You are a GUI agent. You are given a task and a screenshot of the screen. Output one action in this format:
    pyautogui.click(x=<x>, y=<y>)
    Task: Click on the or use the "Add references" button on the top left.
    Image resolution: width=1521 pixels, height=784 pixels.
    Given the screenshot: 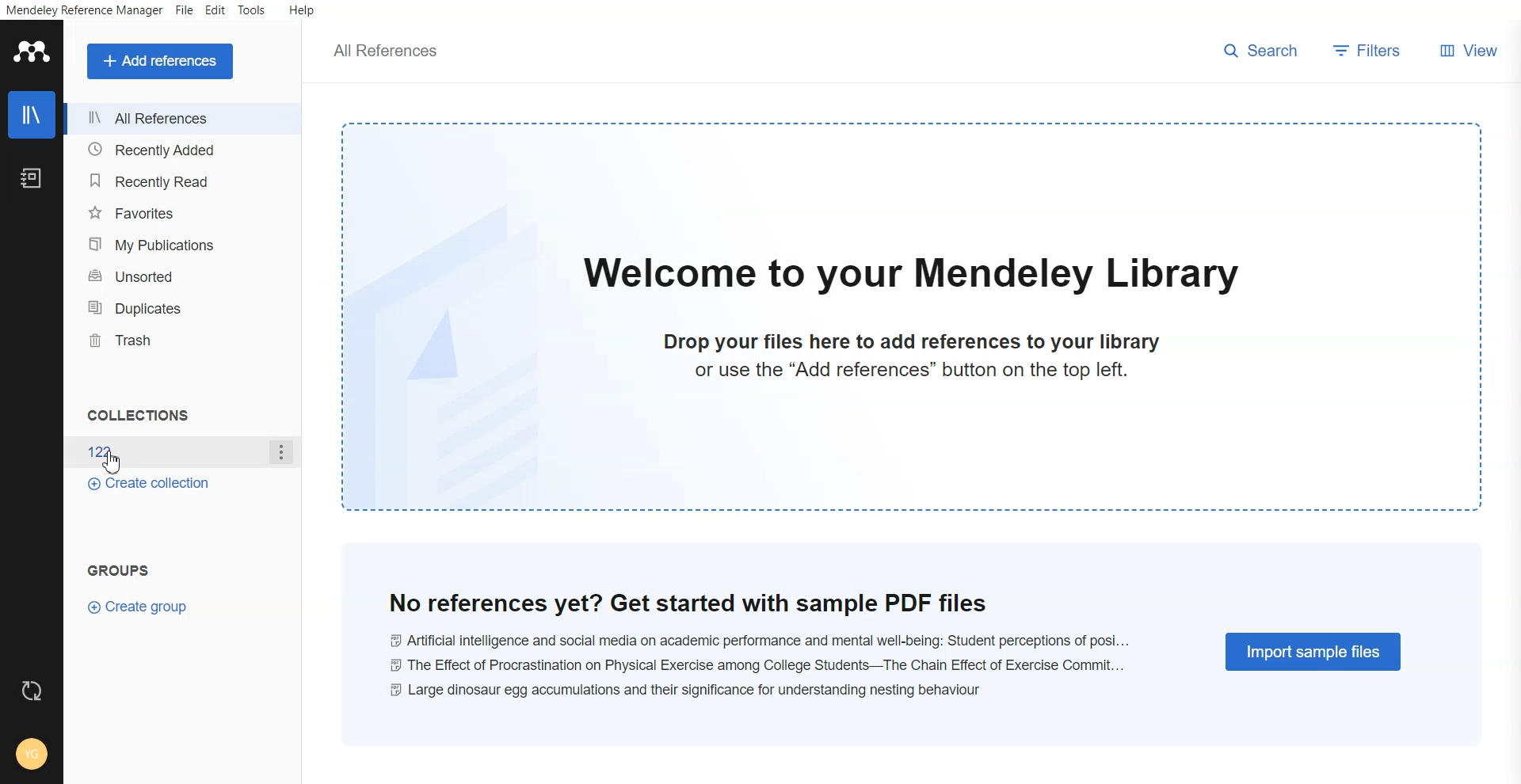 What is the action you would take?
    pyautogui.click(x=915, y=371)
    